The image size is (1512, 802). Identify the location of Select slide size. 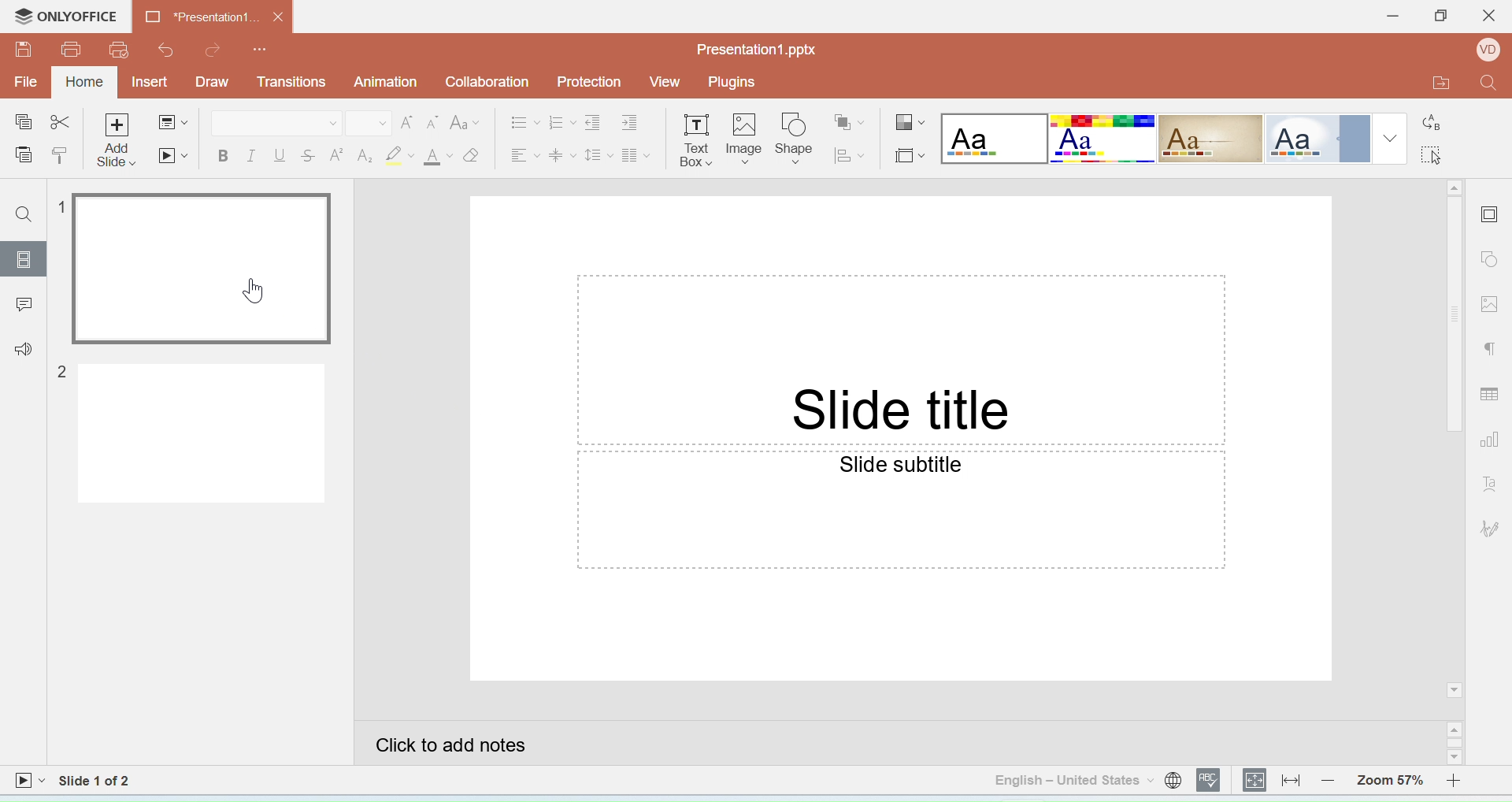
(909, 153).